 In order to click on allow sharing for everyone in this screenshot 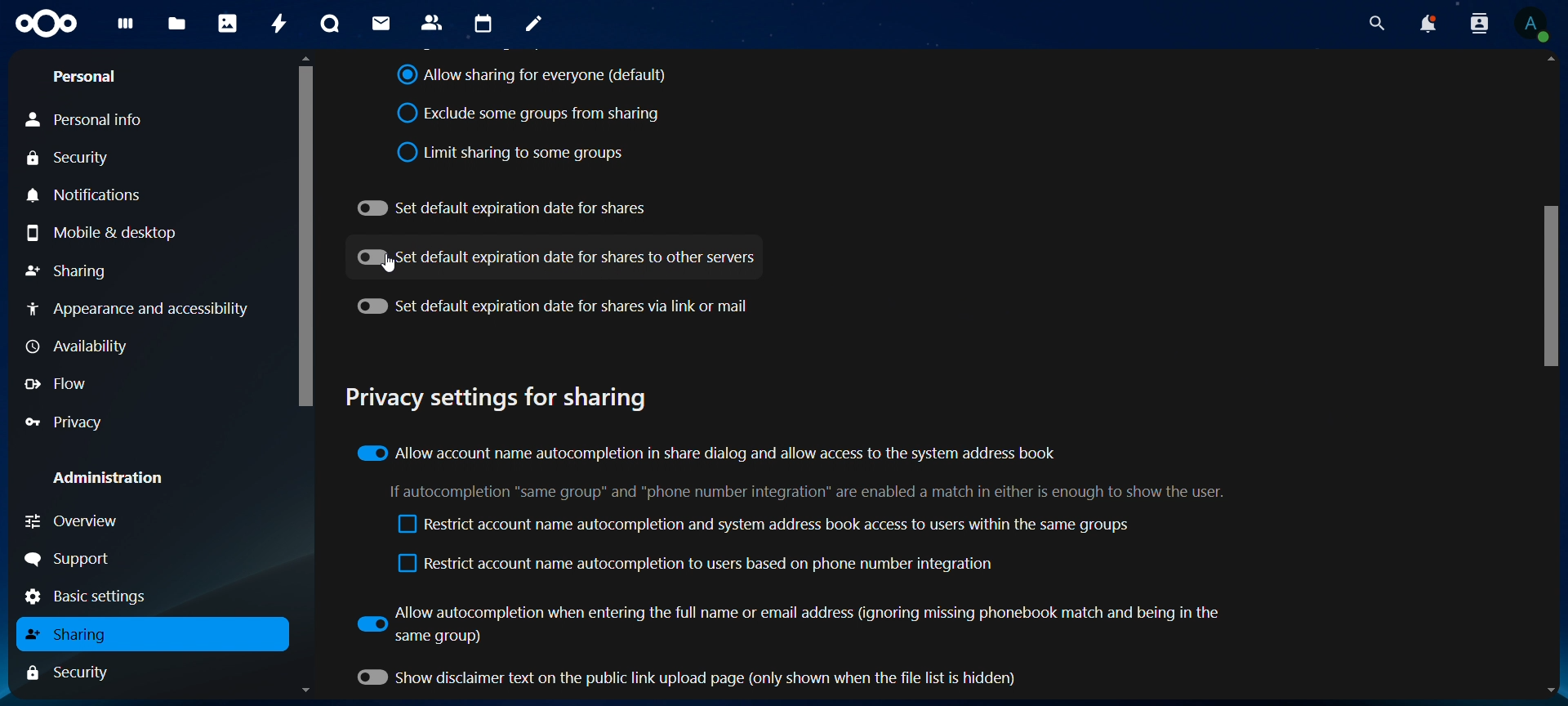, I will do `click(532, 77)`.